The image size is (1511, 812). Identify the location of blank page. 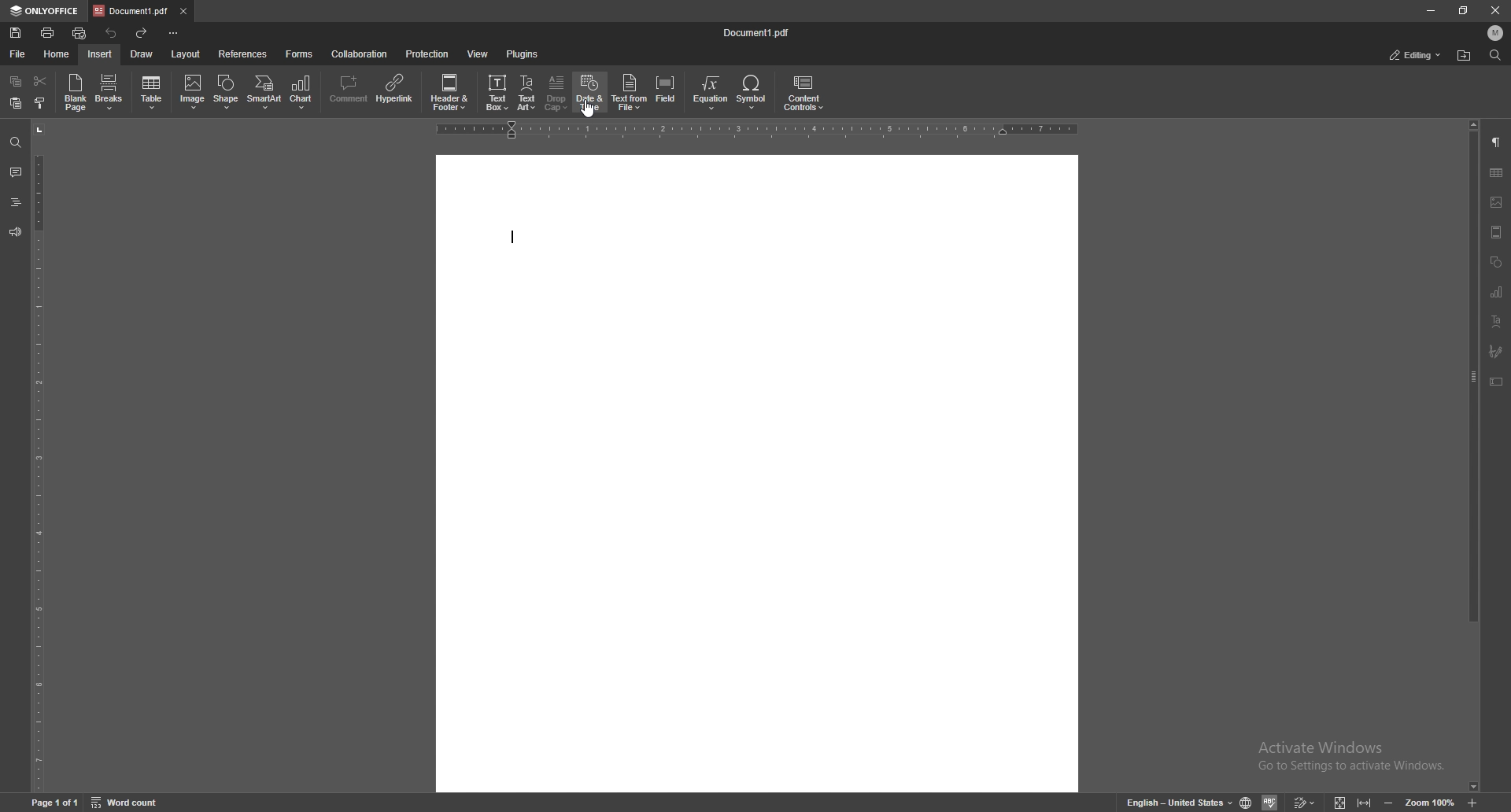
(76, 93).